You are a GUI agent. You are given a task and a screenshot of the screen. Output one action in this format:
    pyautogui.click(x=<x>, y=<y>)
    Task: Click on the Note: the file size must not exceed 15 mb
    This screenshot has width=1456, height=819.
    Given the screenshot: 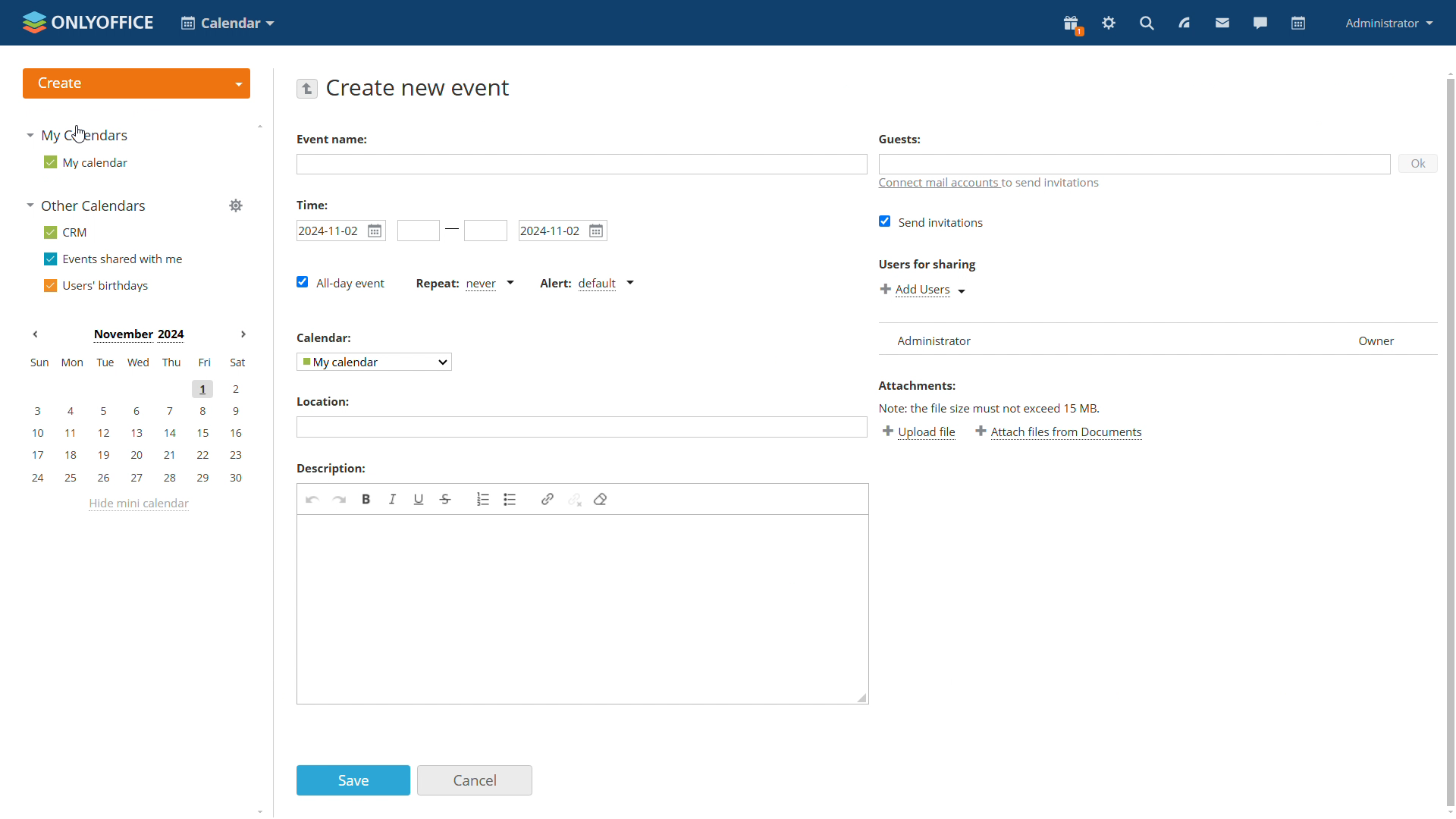 What is the action you would take?
    pyautogui.click(x=990, y=408)
    